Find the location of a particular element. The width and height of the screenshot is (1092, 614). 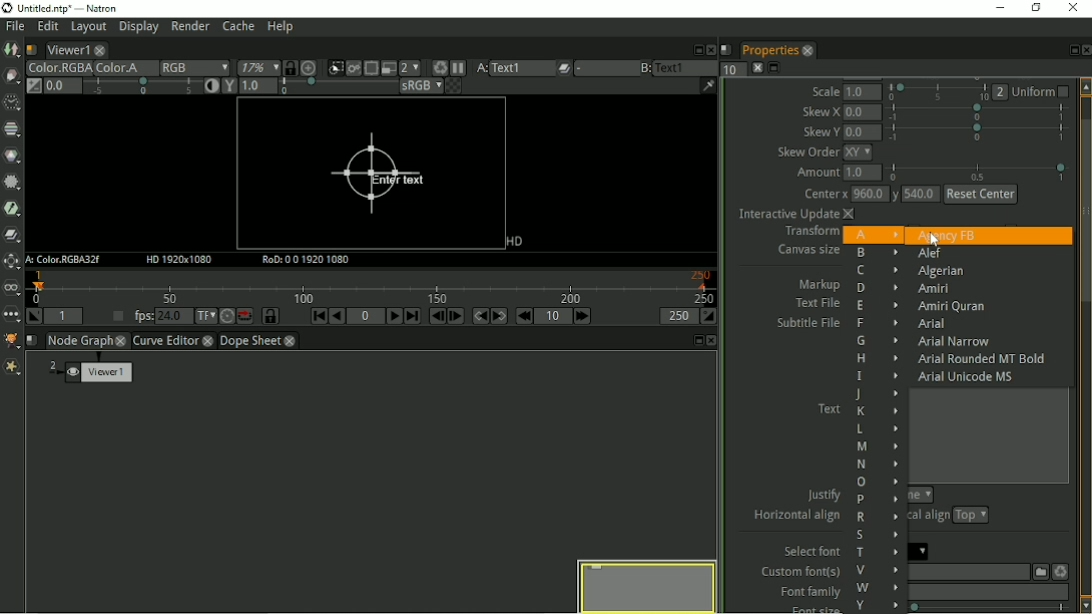

First frame is located at coordinates (319, 316).